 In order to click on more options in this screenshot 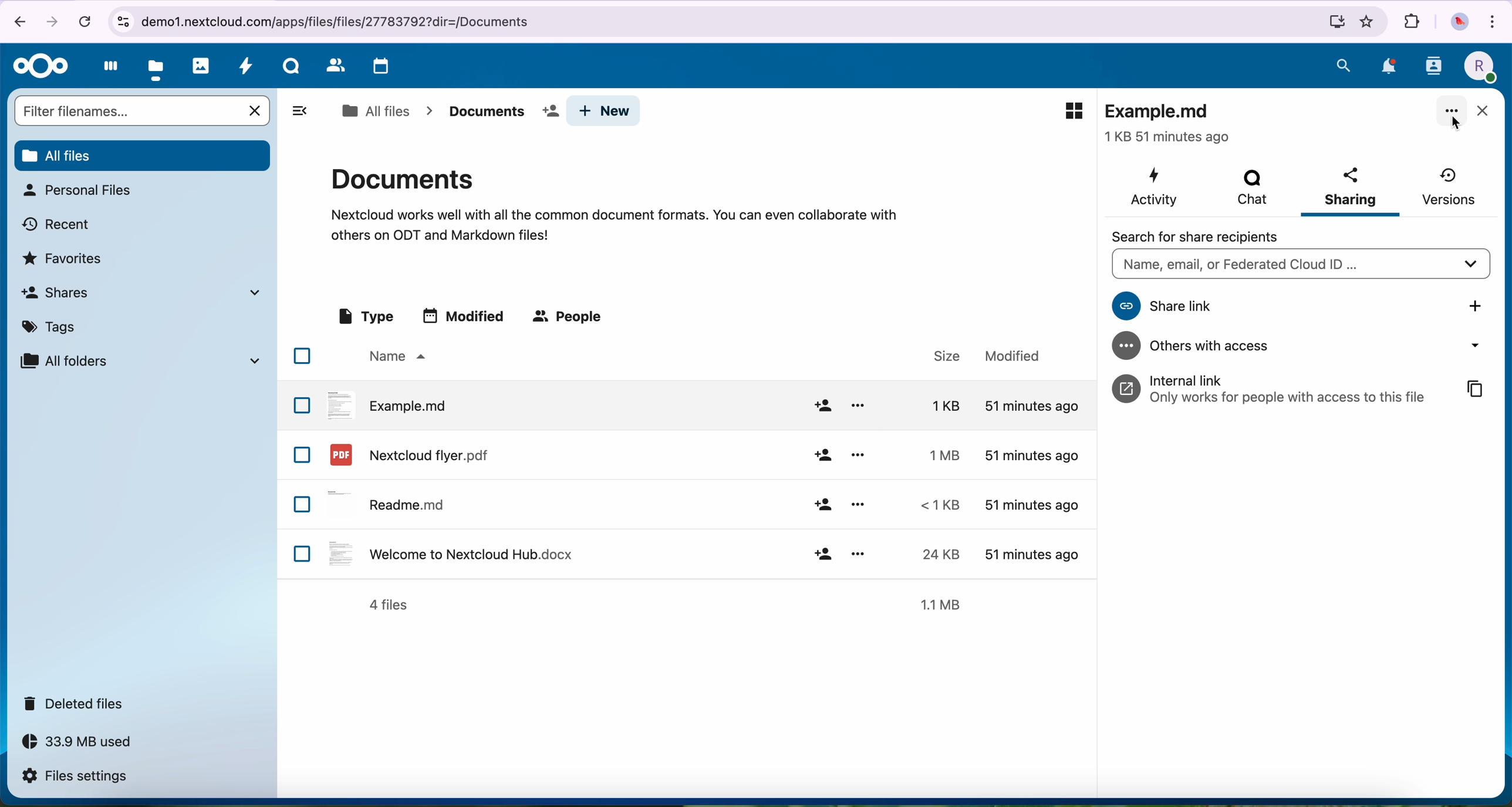, I will do `click(1452, 112)`.